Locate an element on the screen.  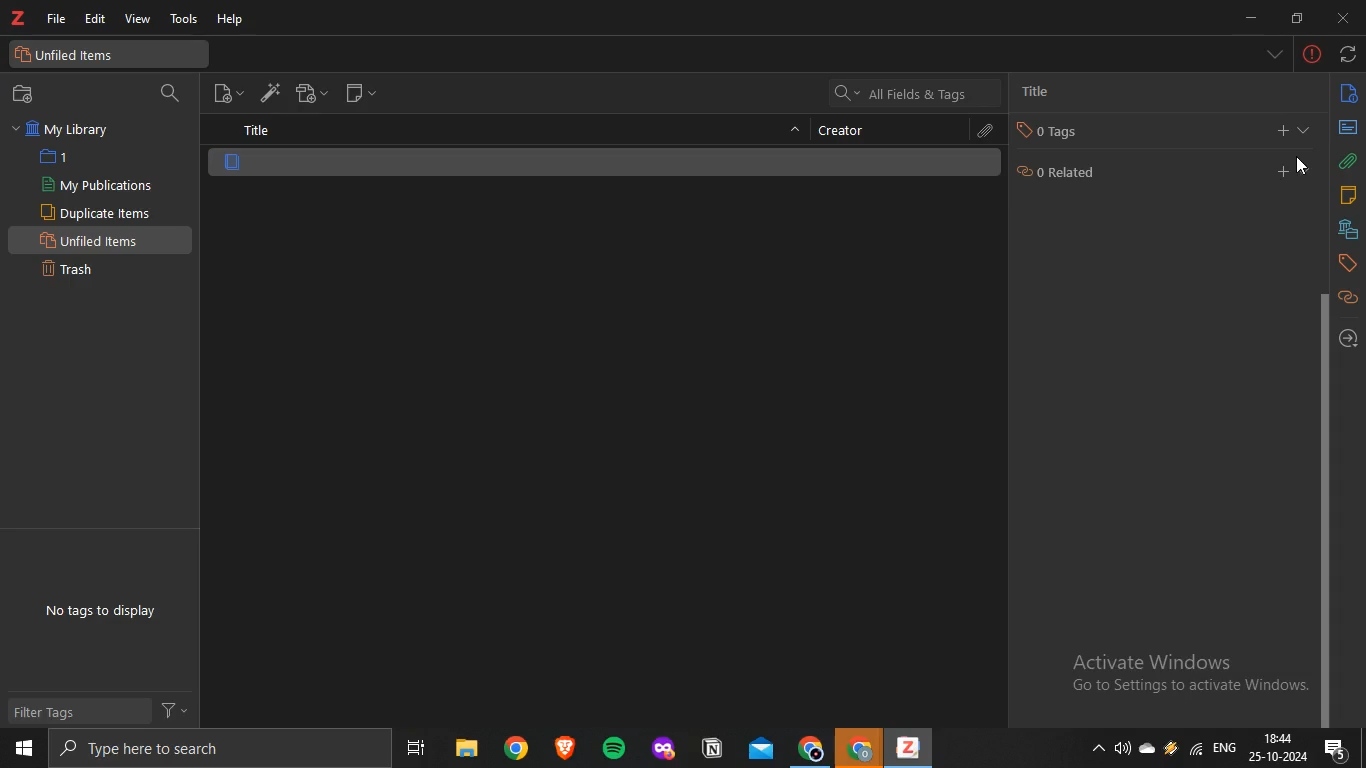
date is located at coordinates (1276, 758).